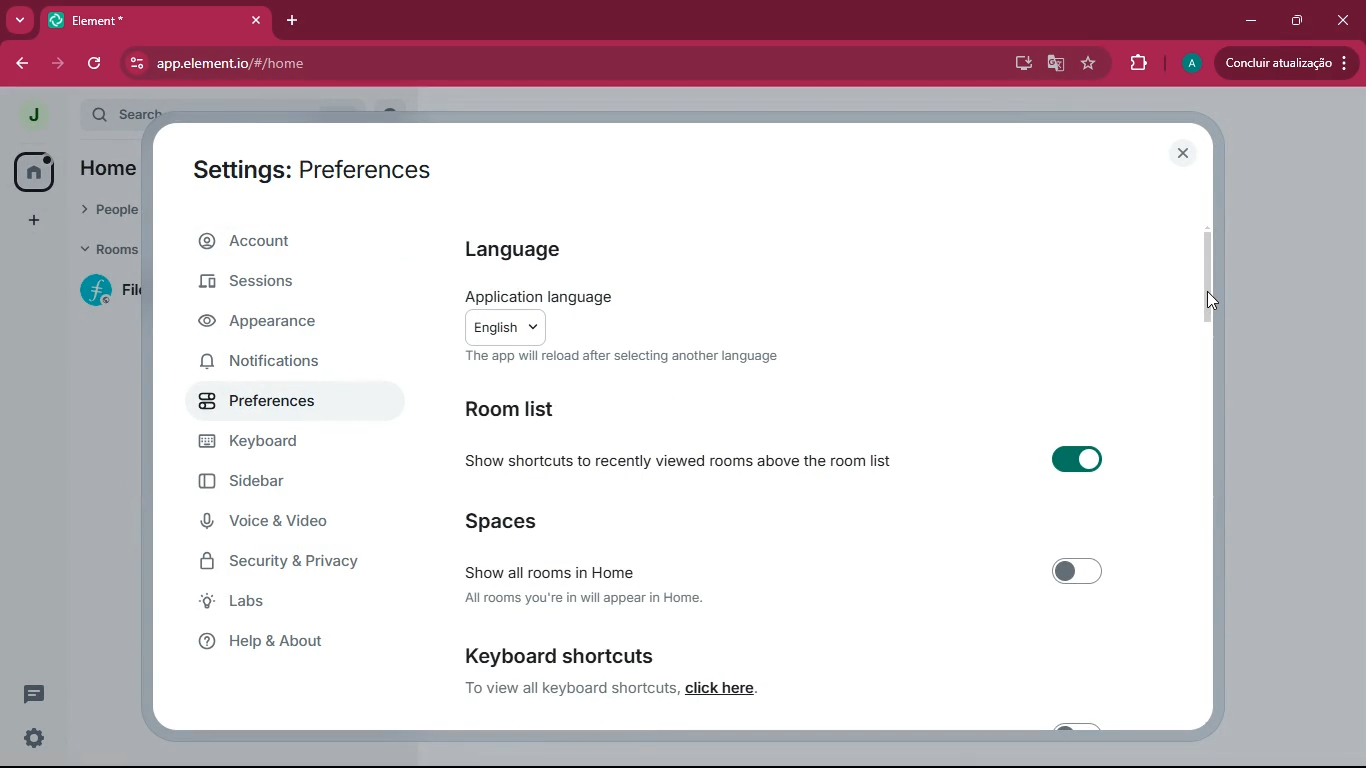 The width and height of the screenshot is (1366, 768). What do you see at coordinates (280, 363) in the screenshot?
I see `notifications` at bounding box center [280, 363].